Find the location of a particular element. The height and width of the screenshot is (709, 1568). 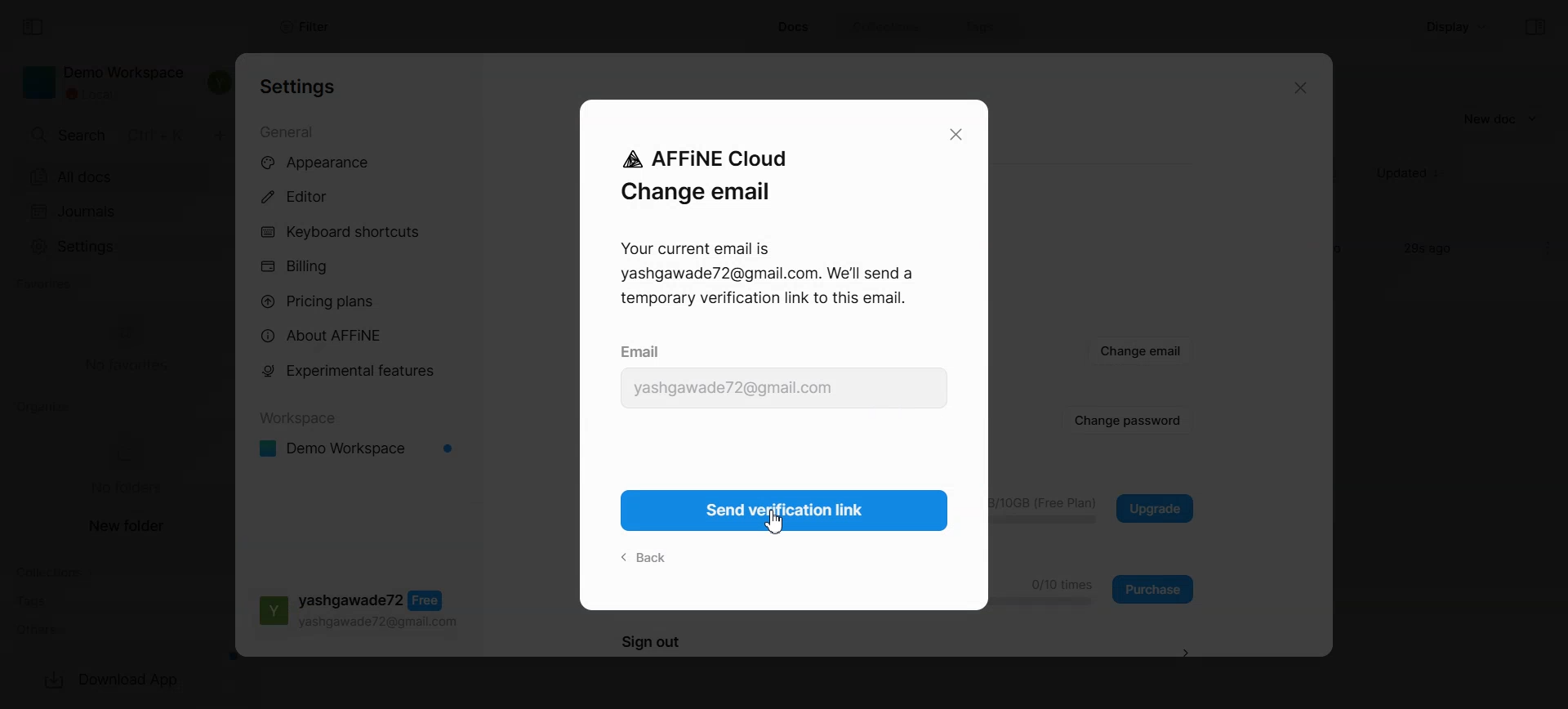

Billing is located at coordinates (362, 266).